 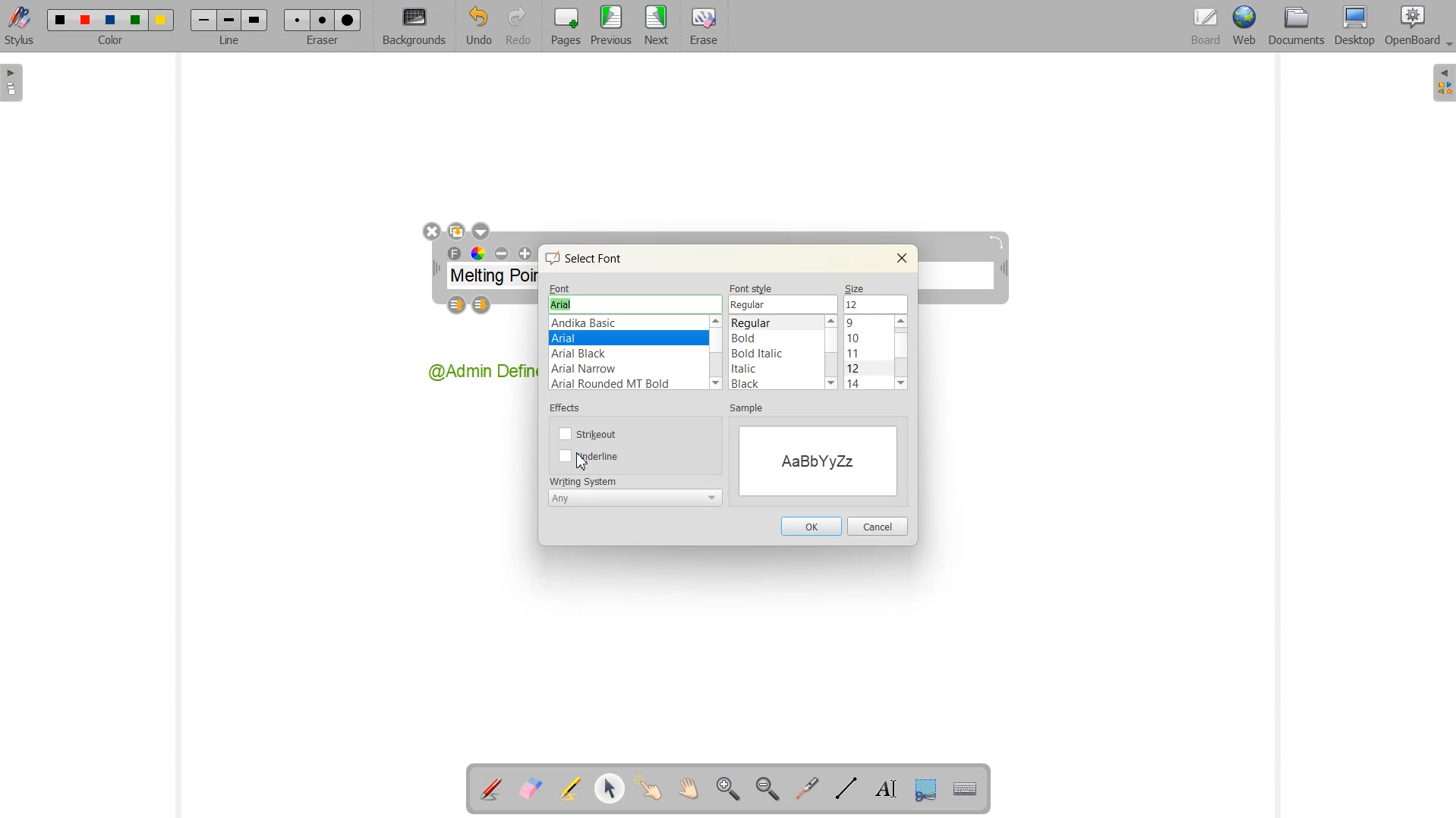 What do you see at coordinates (320, 26) in the screenshot?
I see `Eraser` at bounding box center [320, 26].